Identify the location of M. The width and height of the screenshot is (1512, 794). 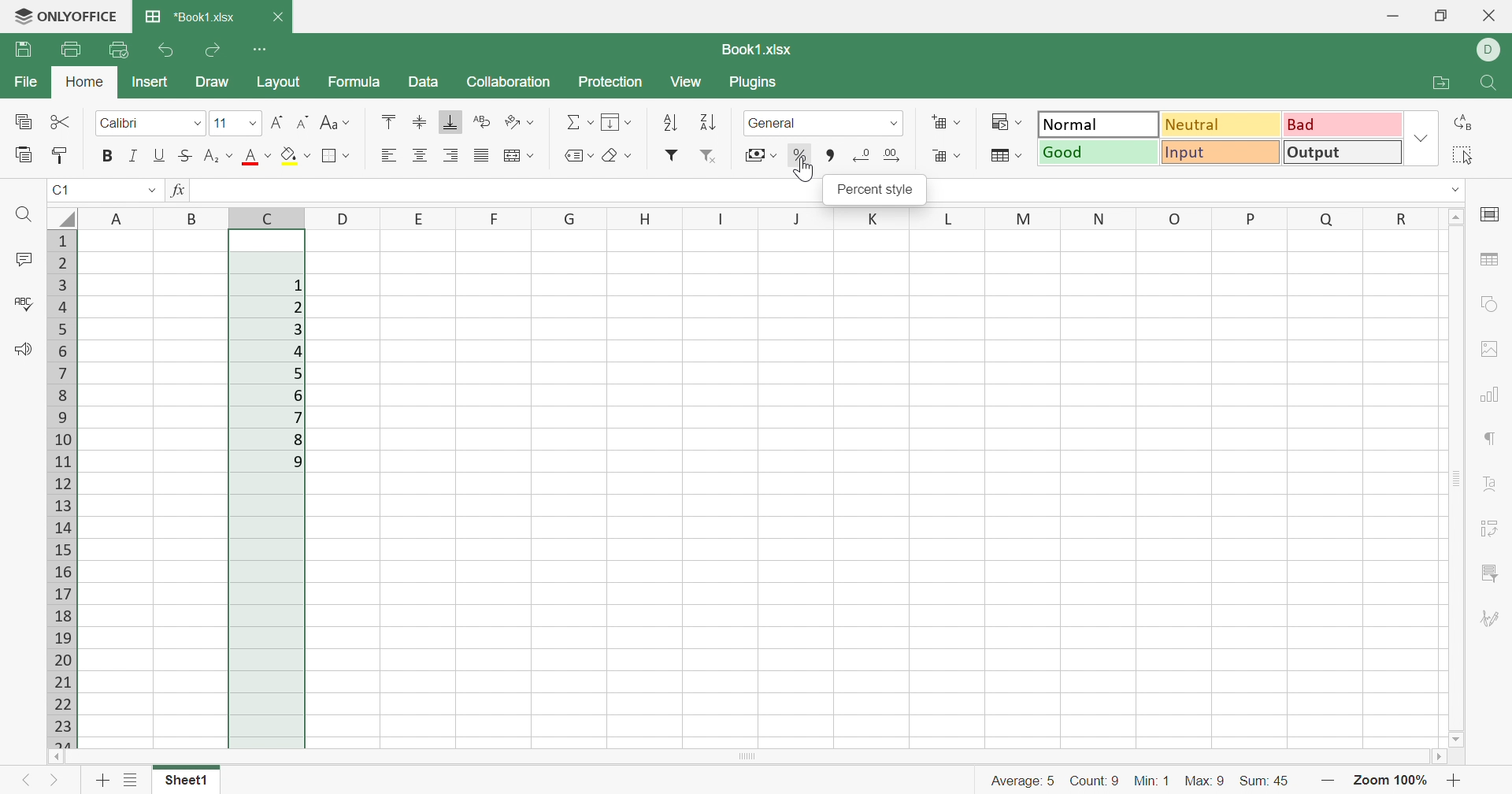
(1022, 220).